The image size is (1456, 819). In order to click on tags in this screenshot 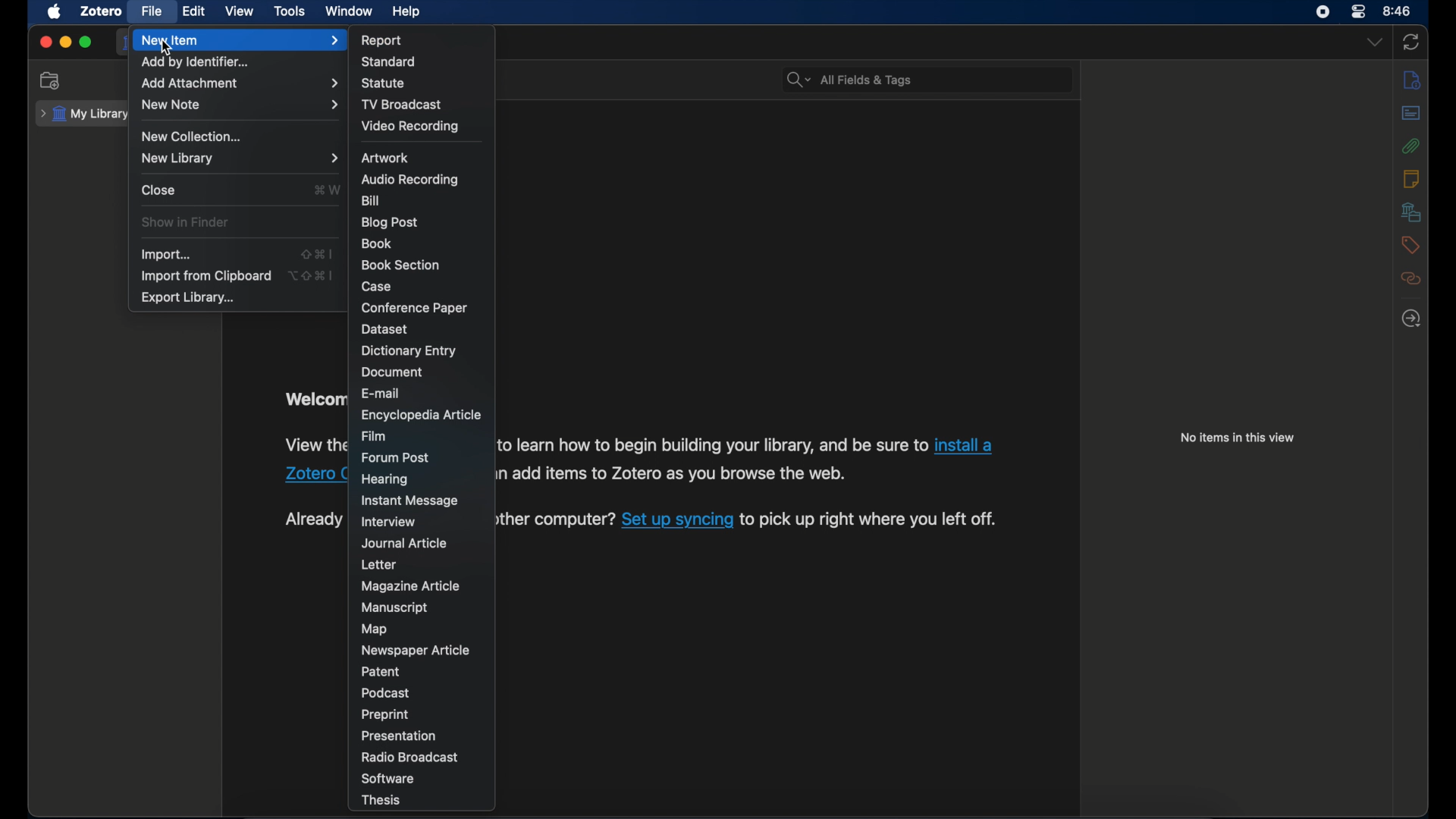, I will do `click(1410, 245)`.